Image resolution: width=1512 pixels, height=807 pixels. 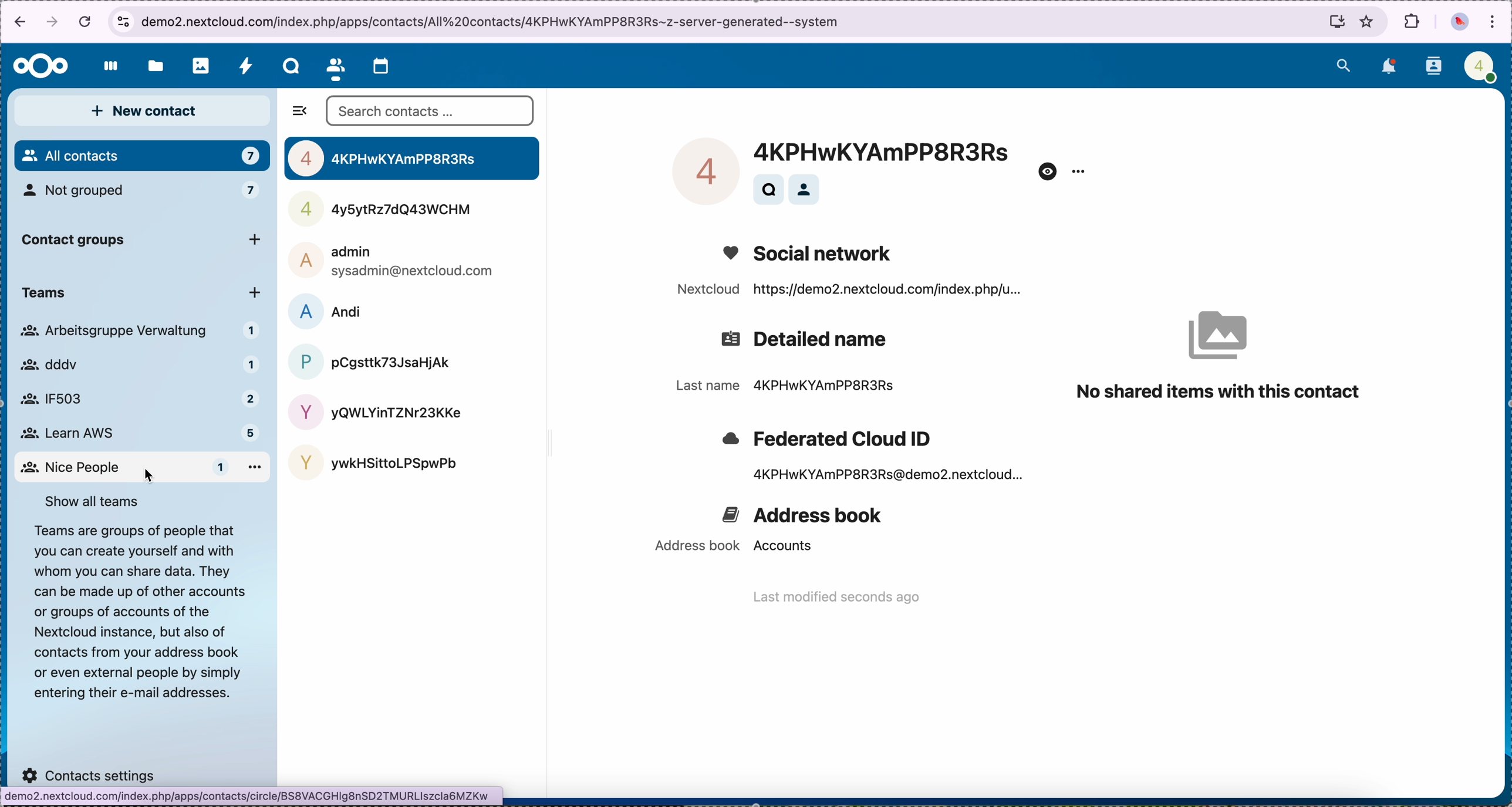 What do you see at coordinates (1224, 349) in the screenshot?
I see `no shared items with this contact` at bounding box center [1224, 349].